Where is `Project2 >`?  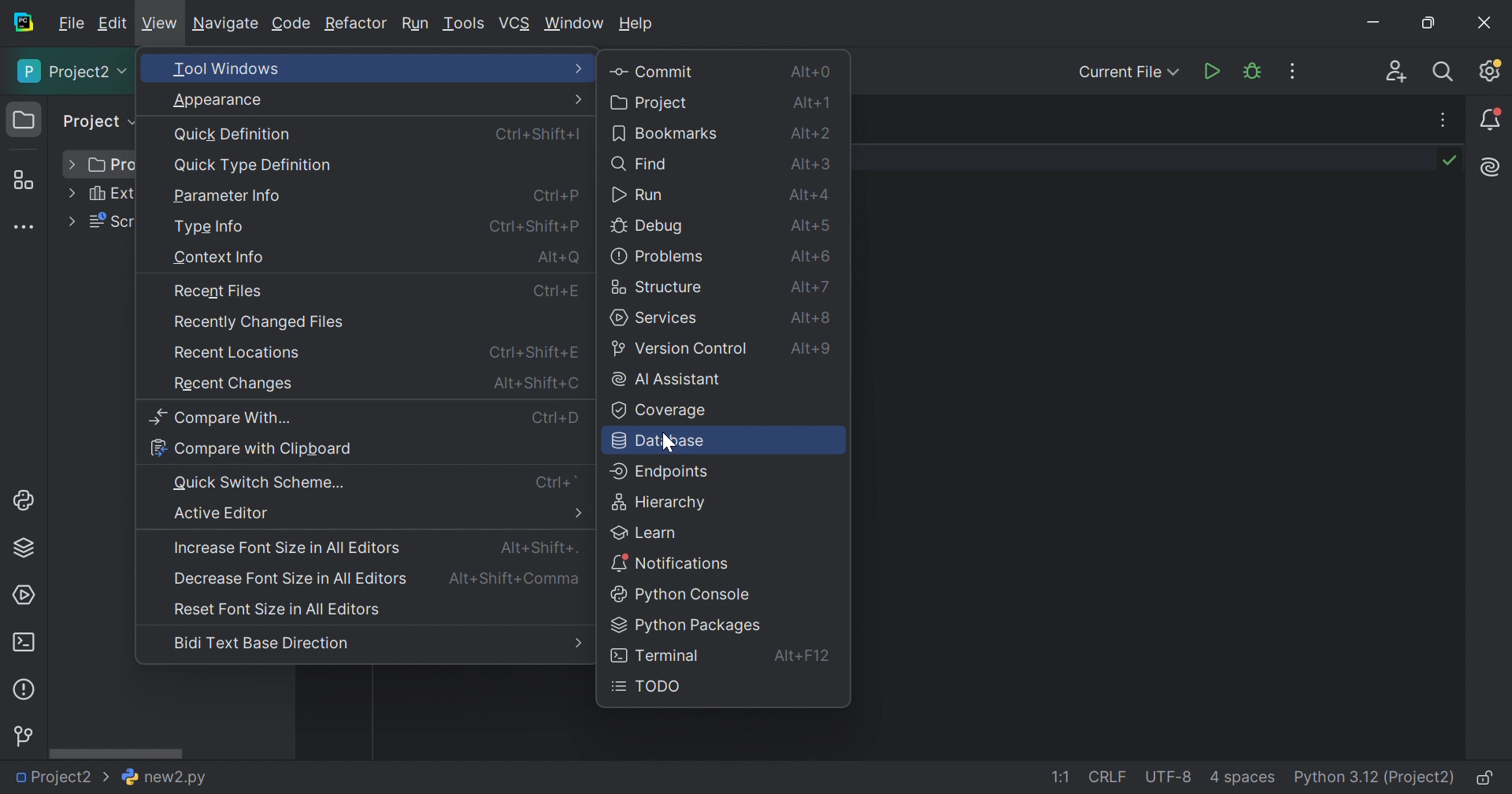
Project2 > is located at coordinates (59, 777).